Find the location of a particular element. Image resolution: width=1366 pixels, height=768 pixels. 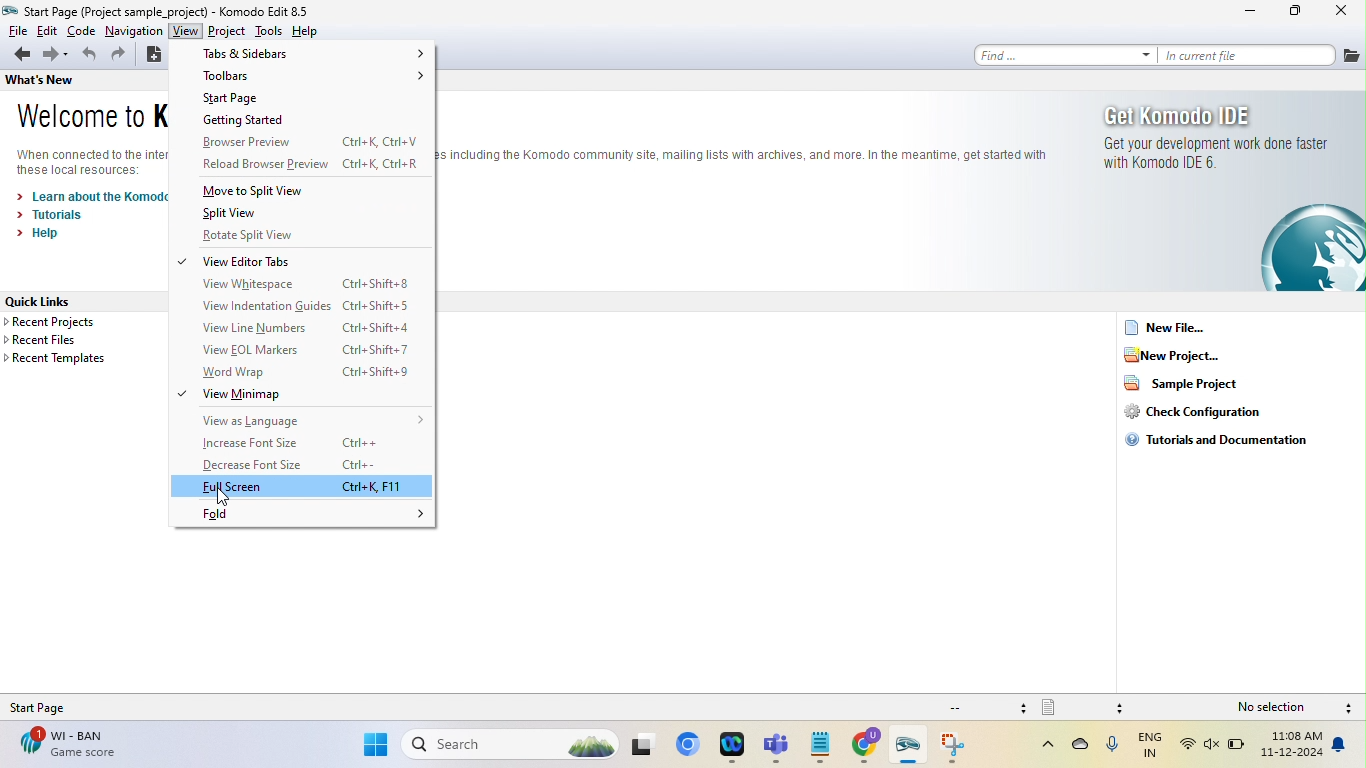

apps on taskbar is located at coordinates (691, 746).